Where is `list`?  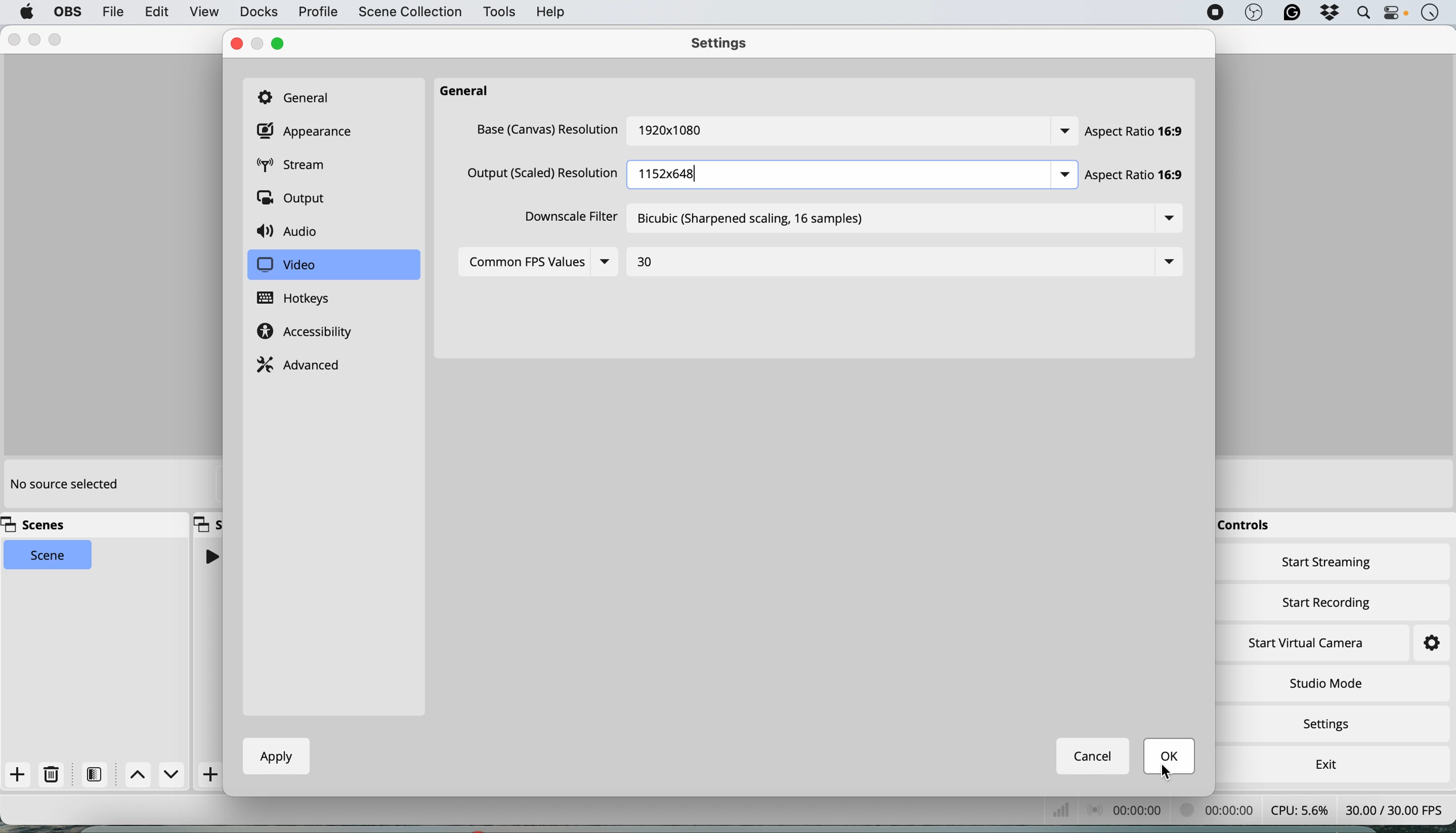
list is located at coordinates (1168, 261).